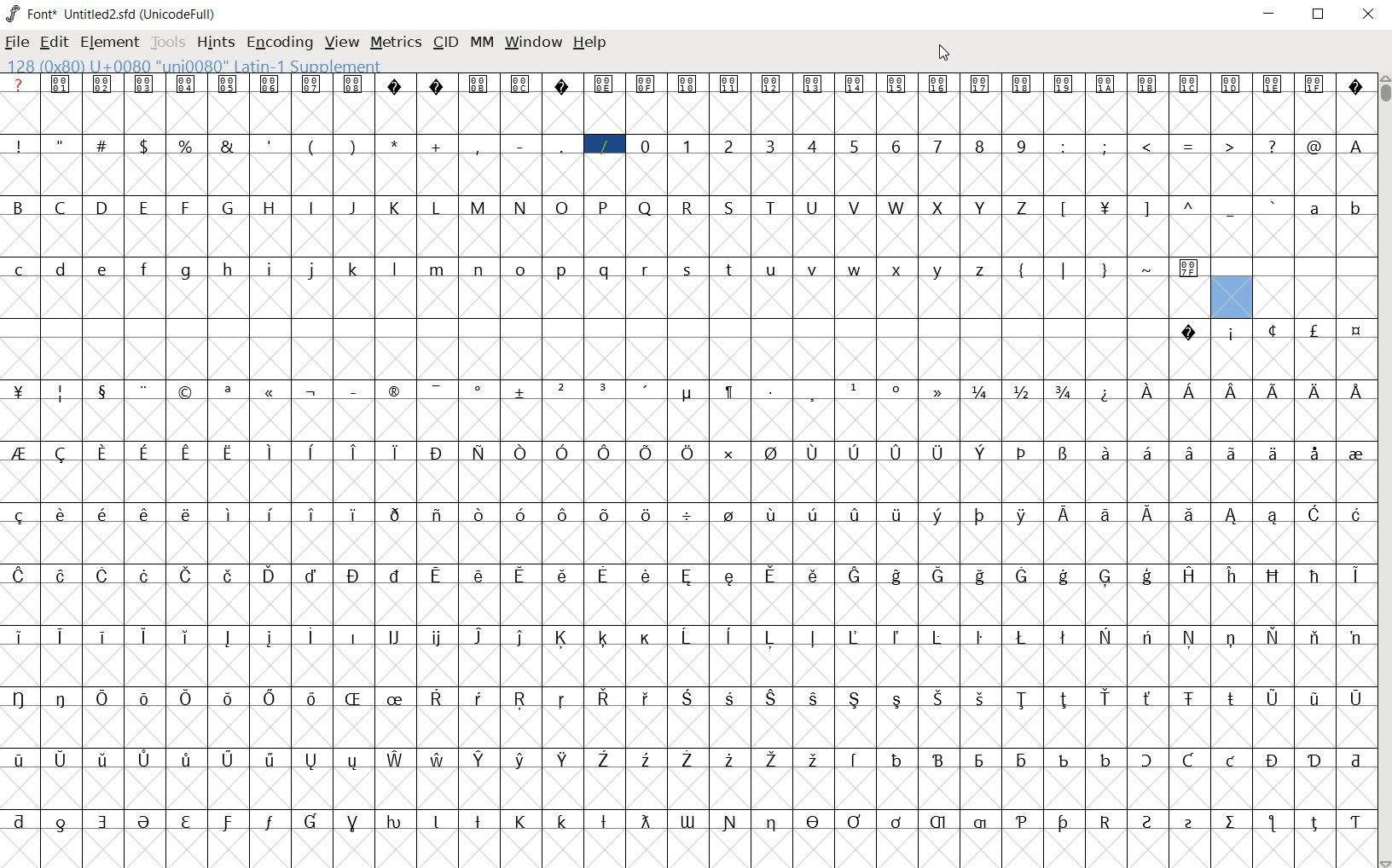  Describe the element at coordinates (646, 390) in the screenshot. I see `glyph` at that location.